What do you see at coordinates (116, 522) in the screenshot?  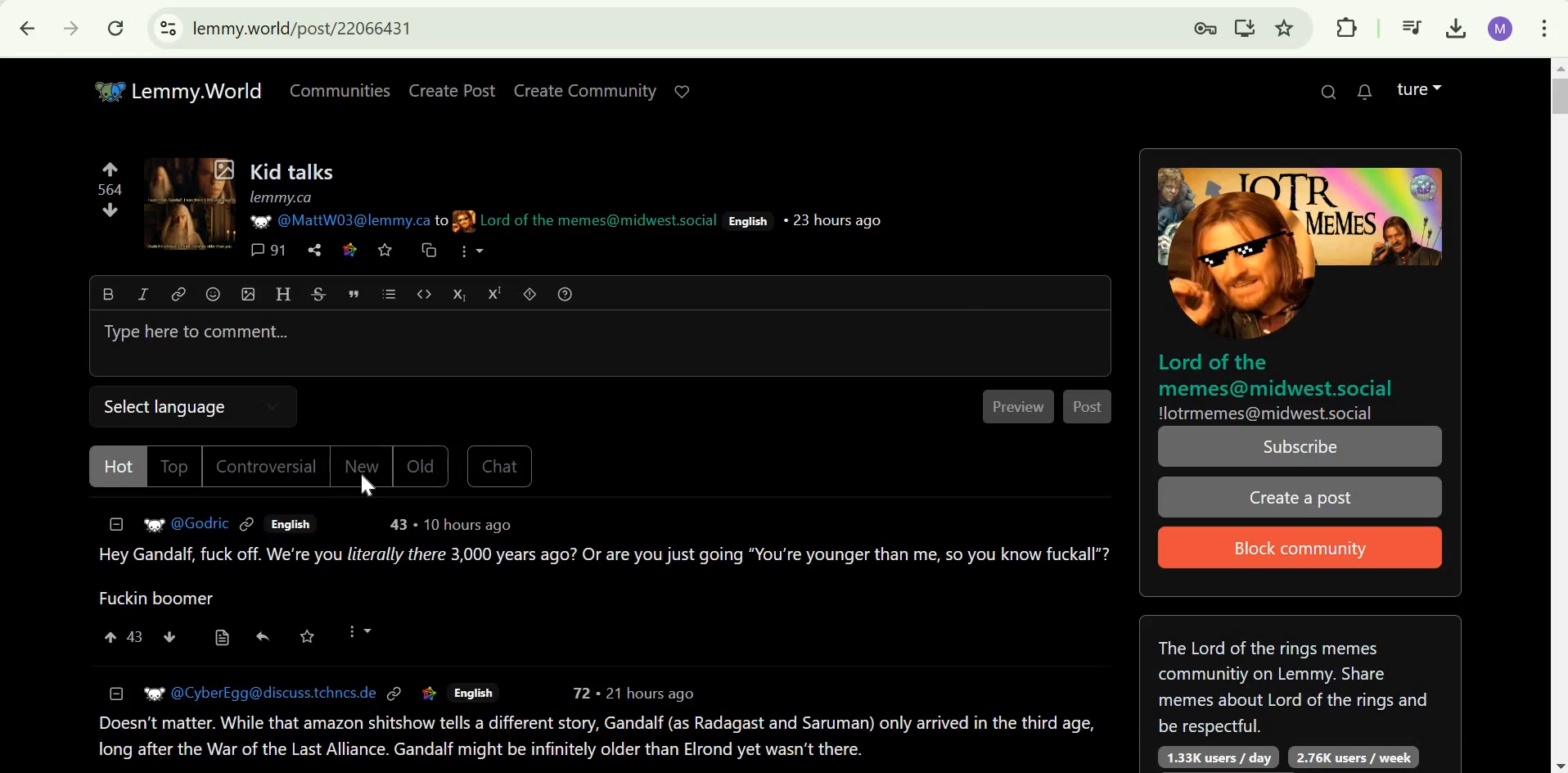 I see `collapse` at bounding box center [116, 522].